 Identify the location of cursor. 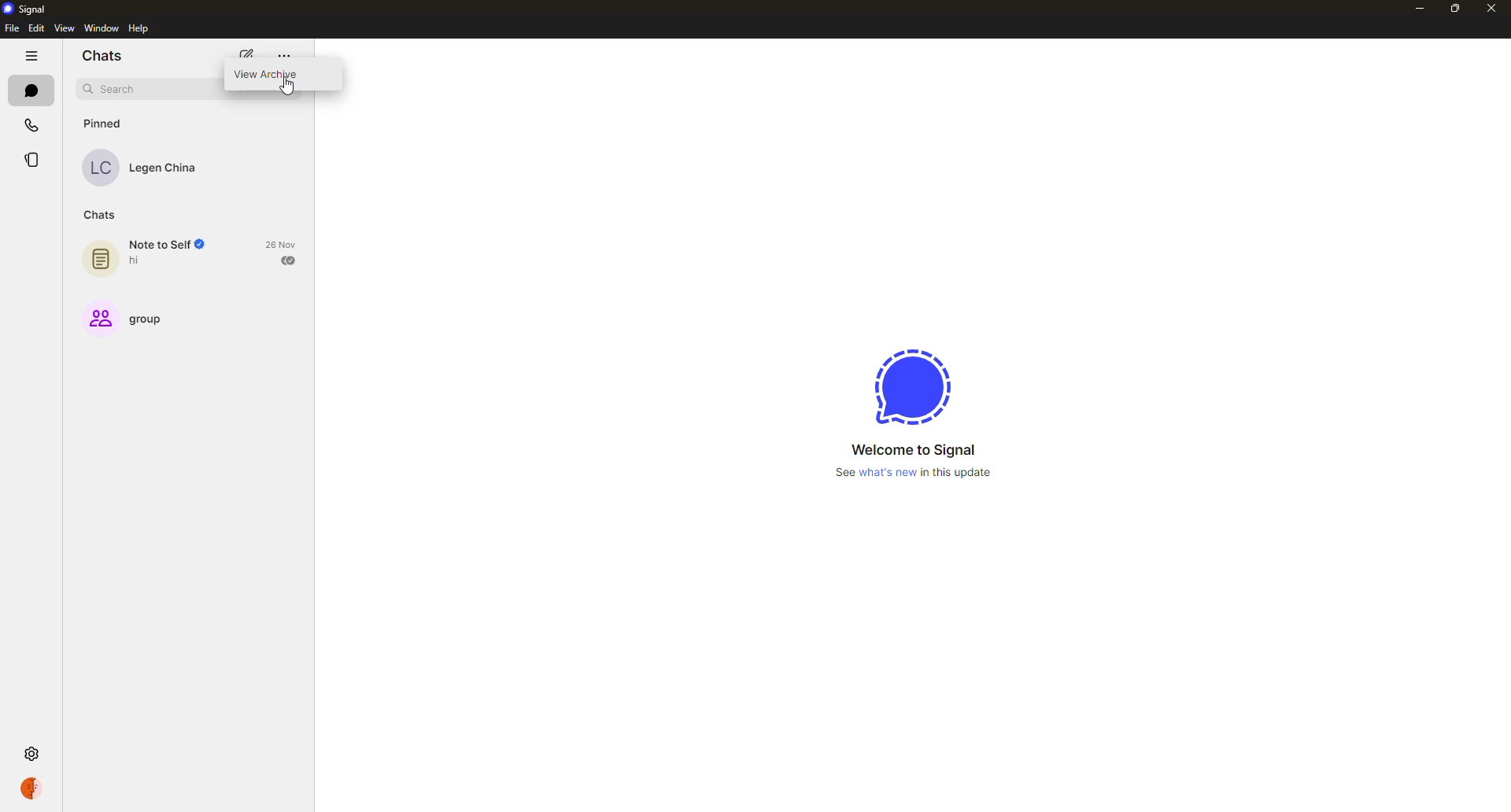
(290, 90).